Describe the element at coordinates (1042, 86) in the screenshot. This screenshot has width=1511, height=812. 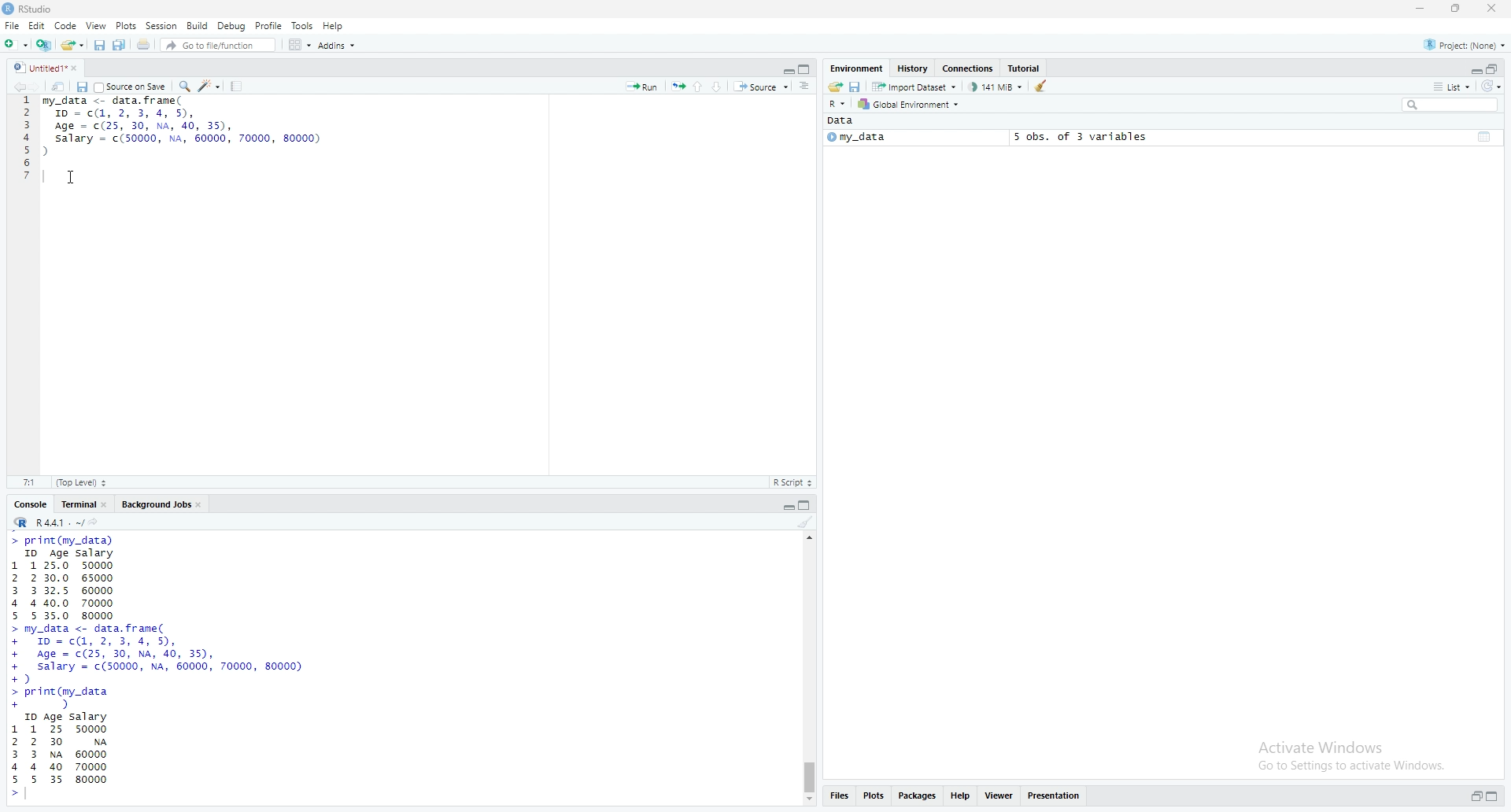
I see `clear object from the workspace` at that location.